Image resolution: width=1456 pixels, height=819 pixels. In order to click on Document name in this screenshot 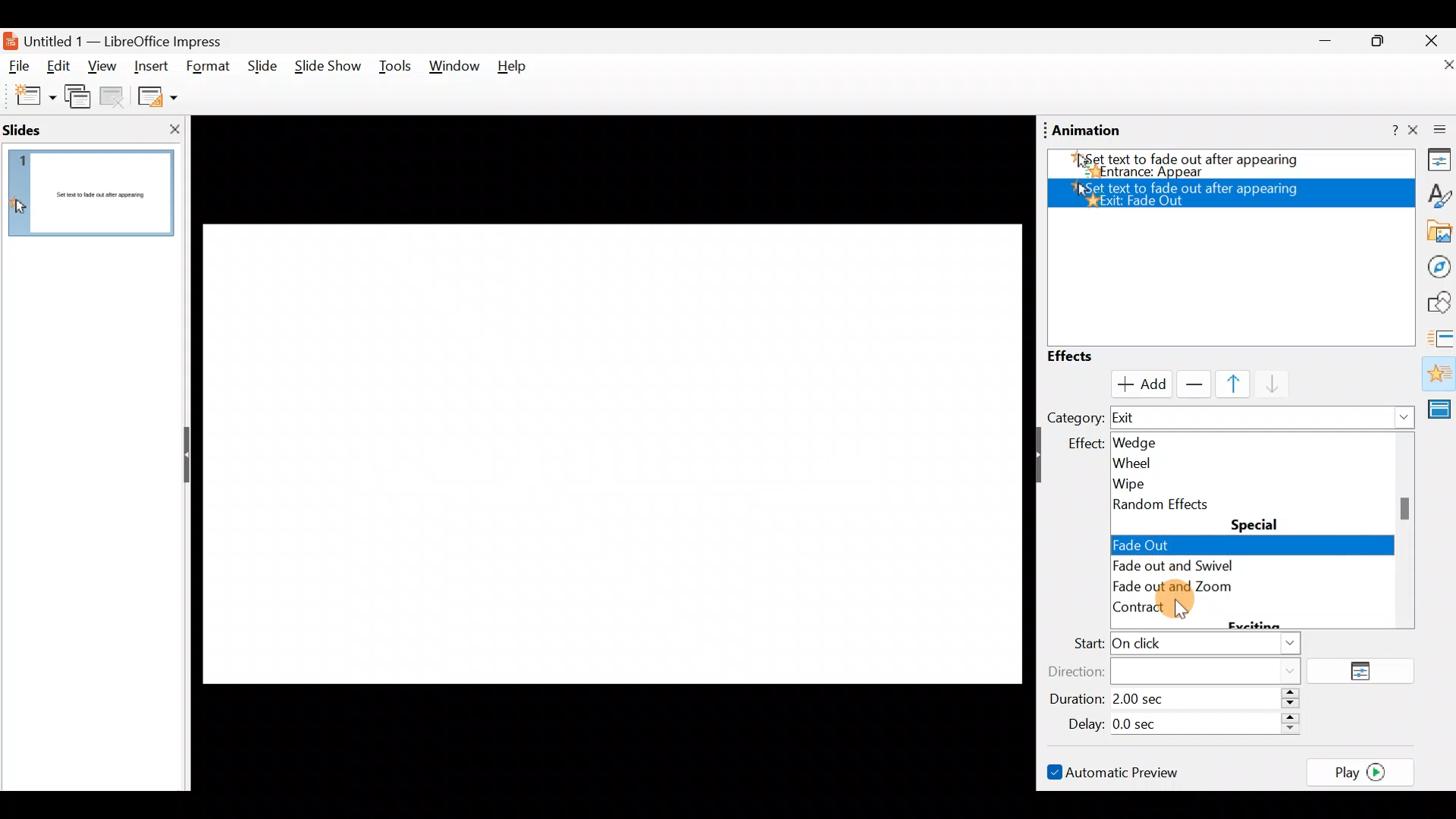, I will do `click(124, 39)`.